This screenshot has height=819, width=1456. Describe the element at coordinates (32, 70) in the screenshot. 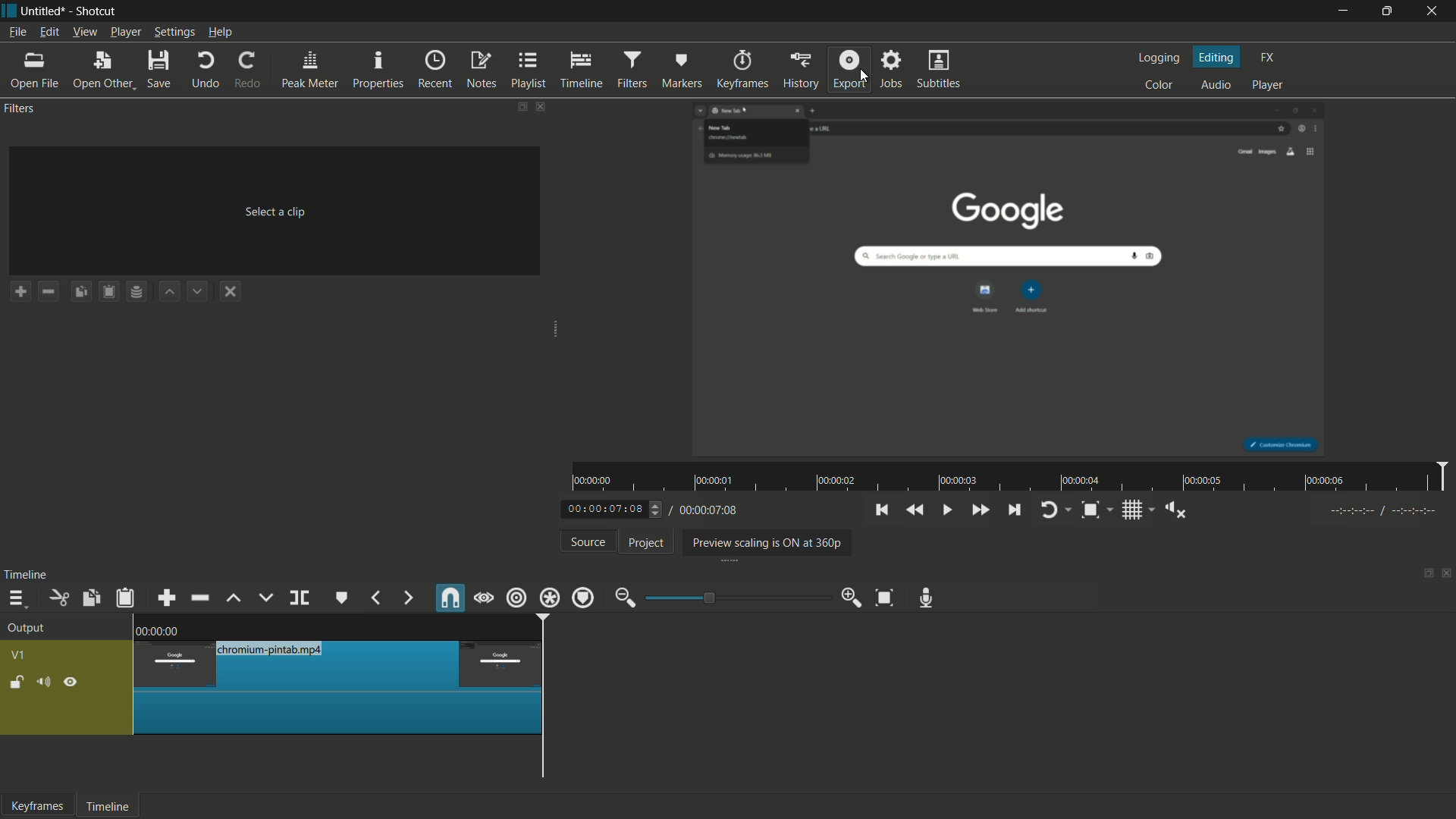

I see `open file` at that location.